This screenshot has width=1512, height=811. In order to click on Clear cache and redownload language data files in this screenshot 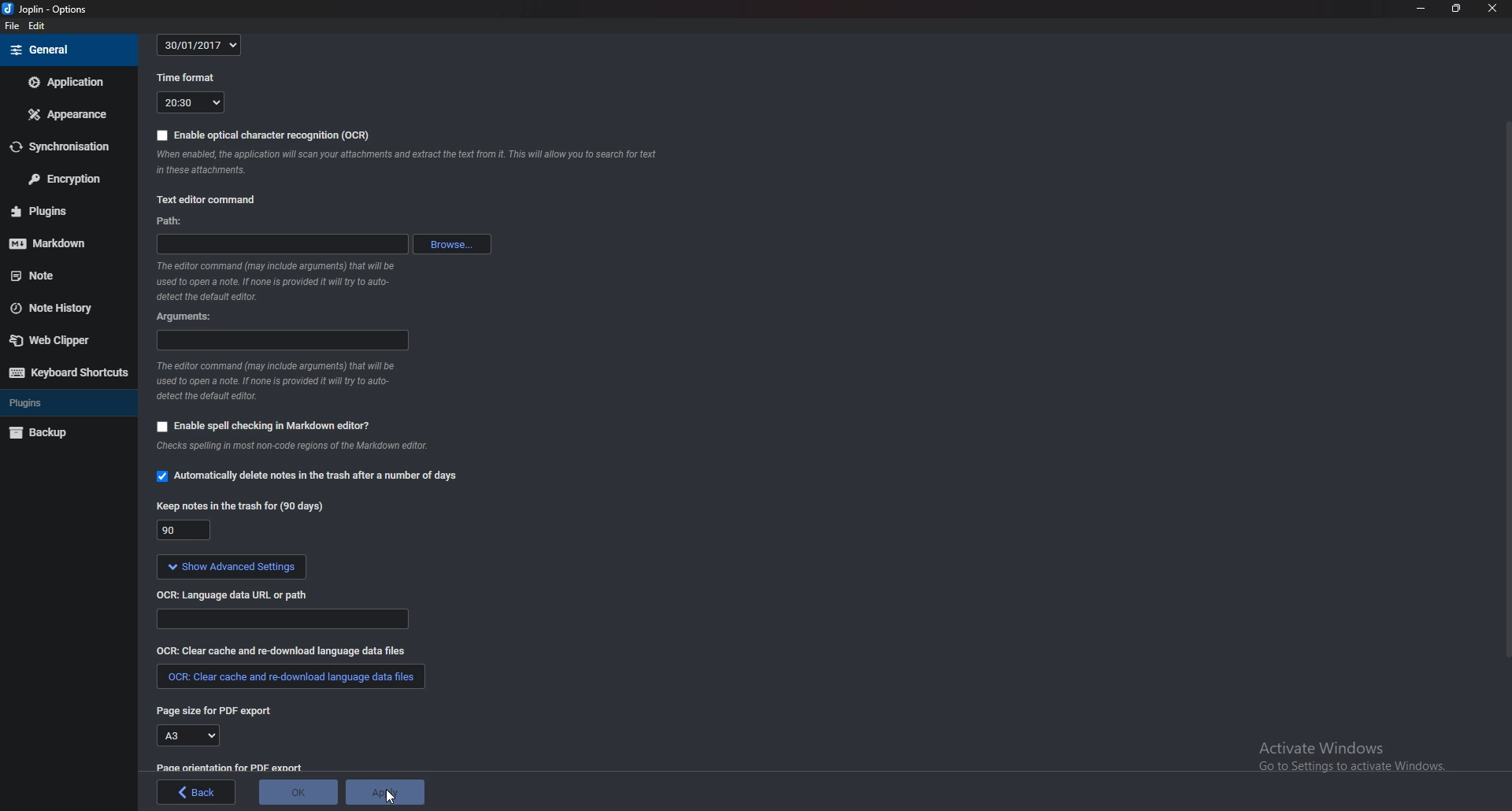, I will do `click(282, 652)`.